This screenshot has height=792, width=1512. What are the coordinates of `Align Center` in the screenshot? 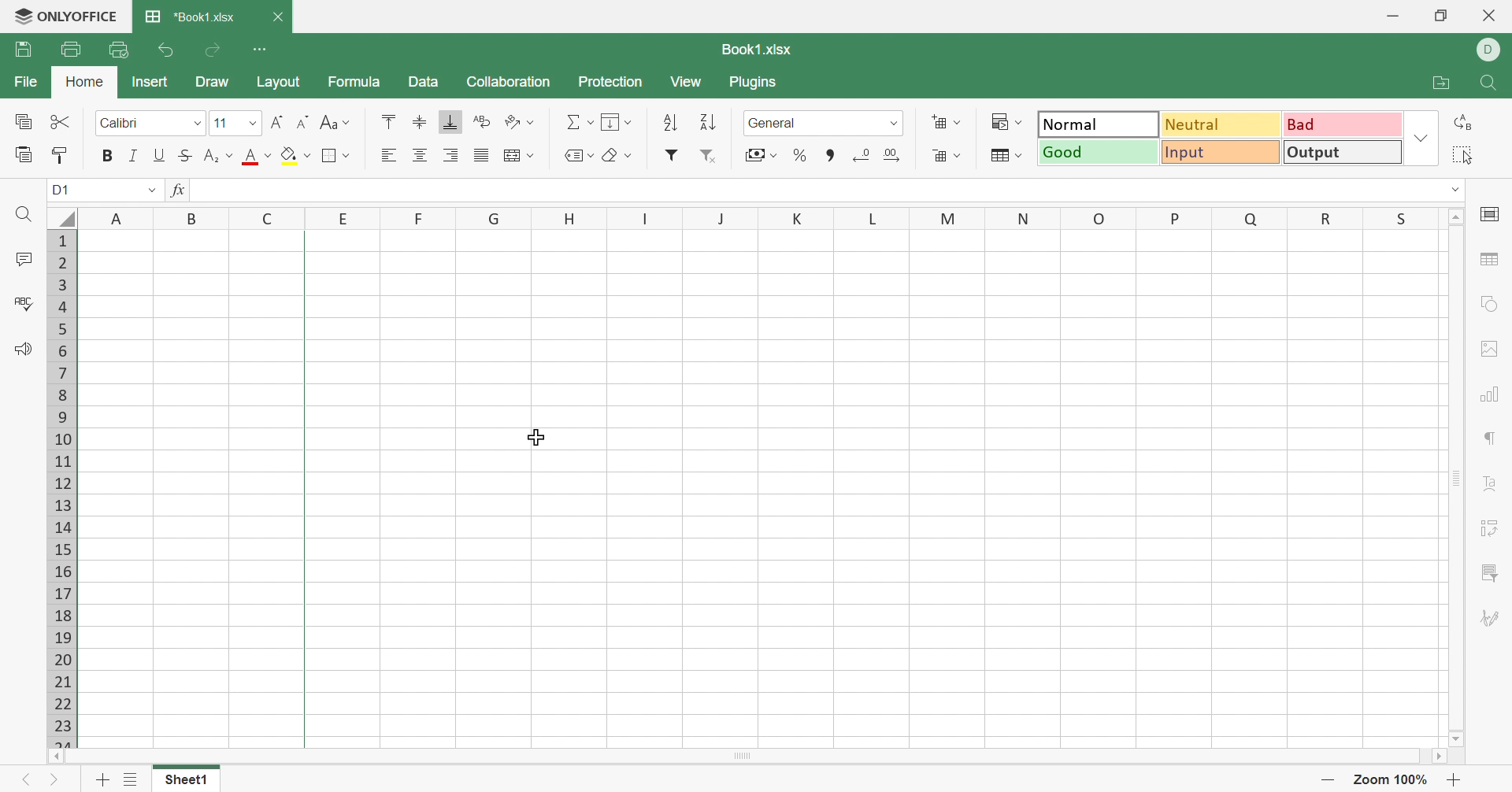 It's located at (420, 154).